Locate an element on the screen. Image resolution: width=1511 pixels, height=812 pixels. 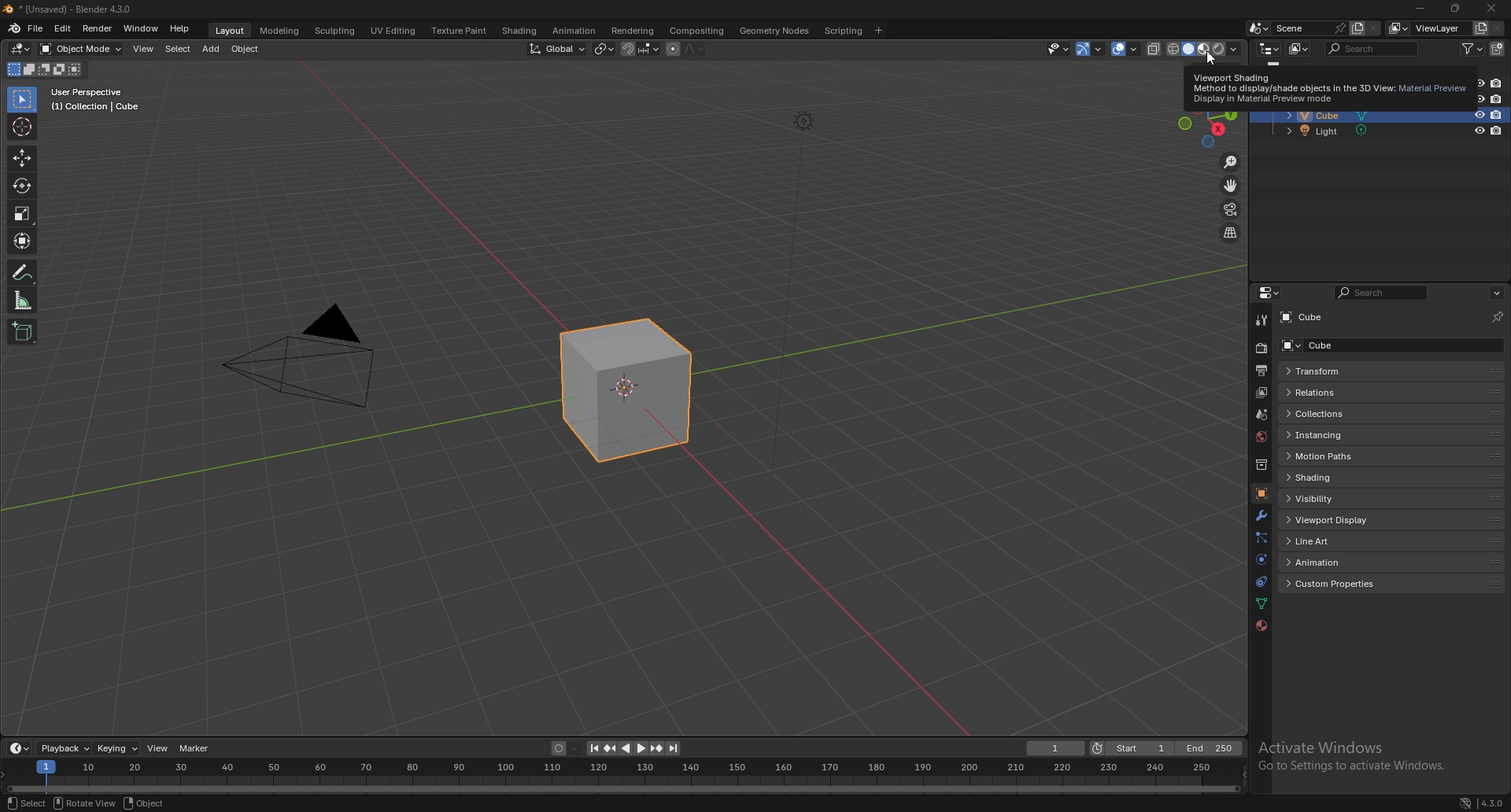
options is located at coordinates (1497, 293).